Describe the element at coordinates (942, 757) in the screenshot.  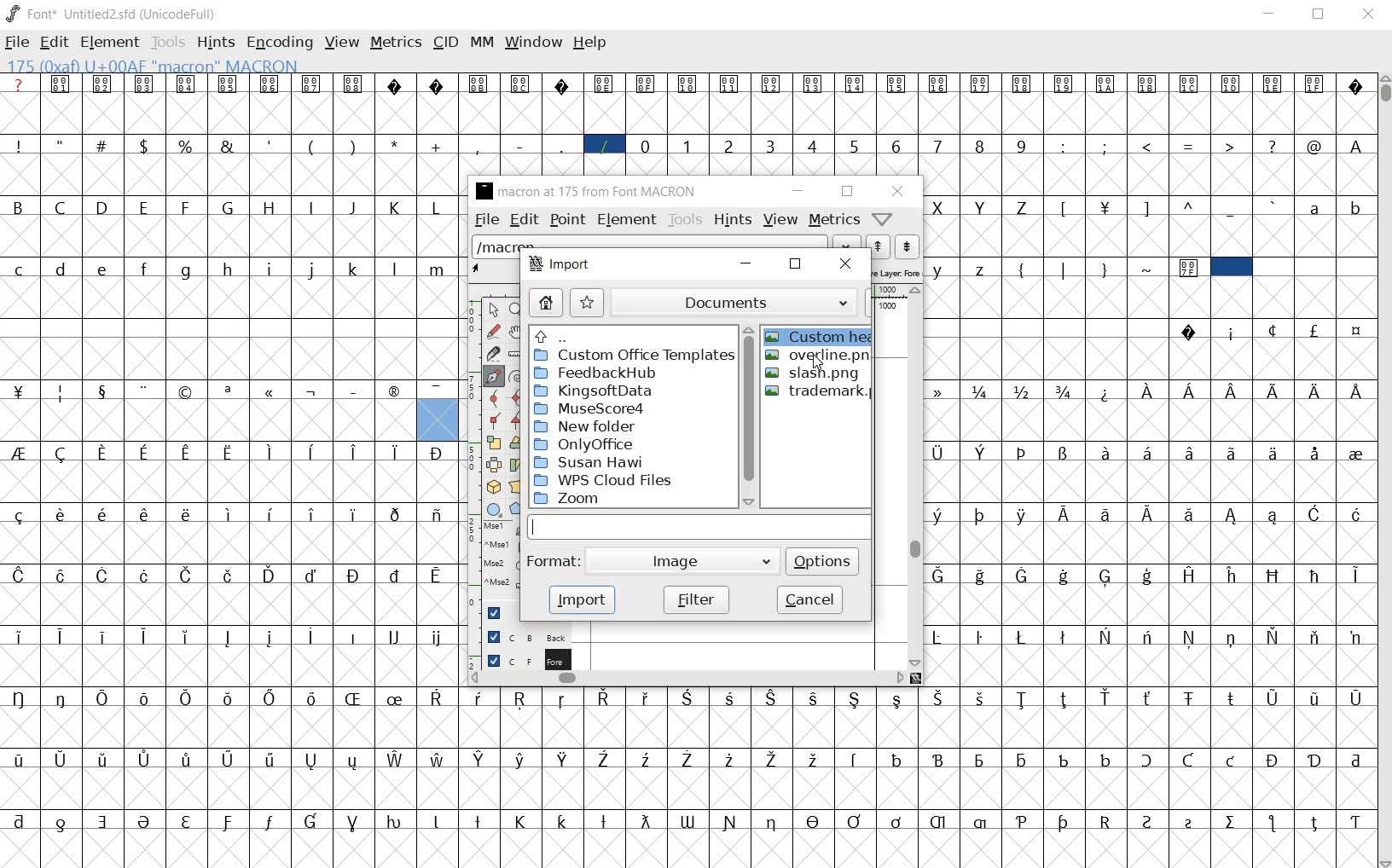
I see `Symbol` at that location.